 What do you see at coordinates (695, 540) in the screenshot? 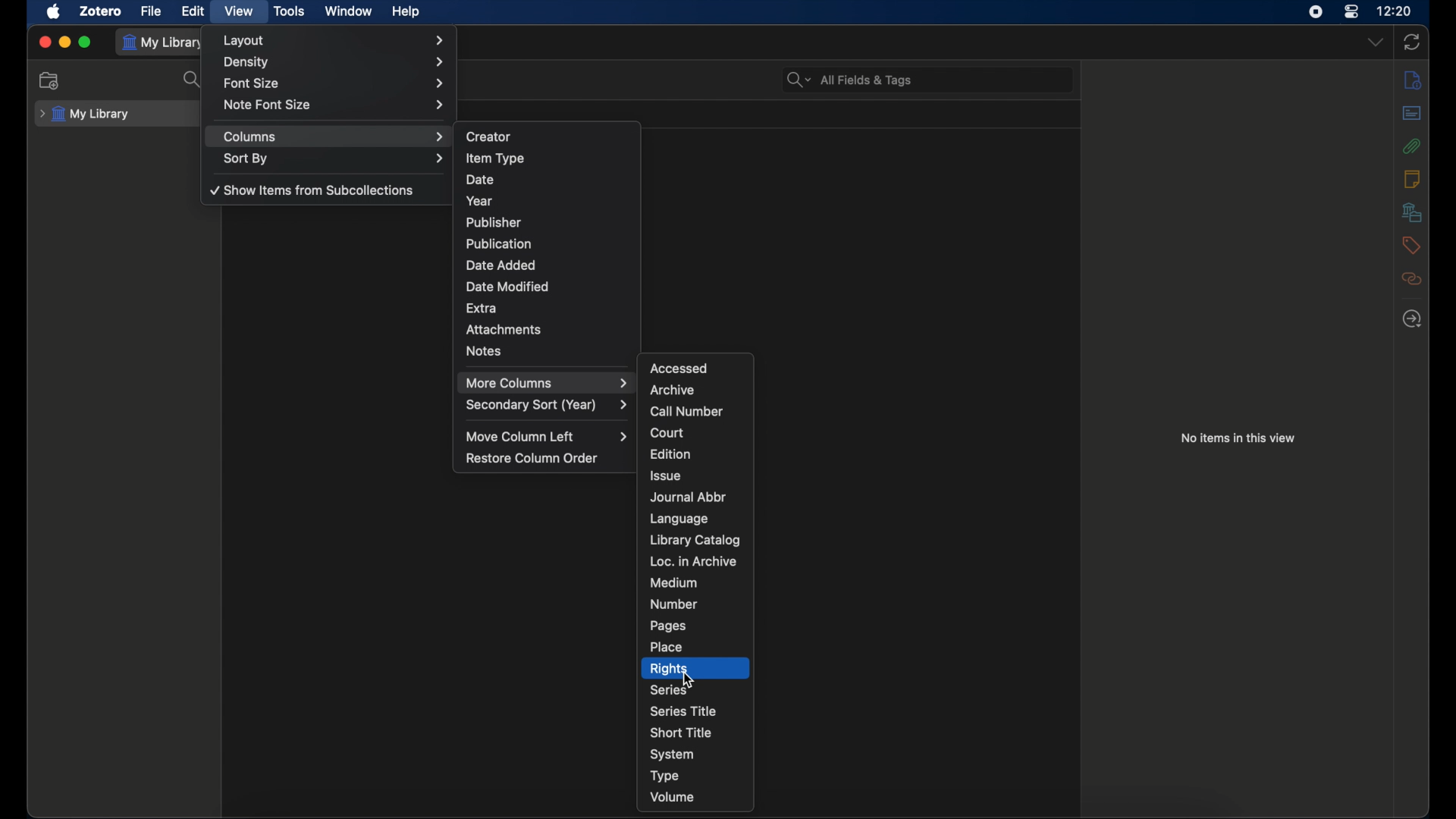
I see `library catalog` at bounding box center [695, 540].